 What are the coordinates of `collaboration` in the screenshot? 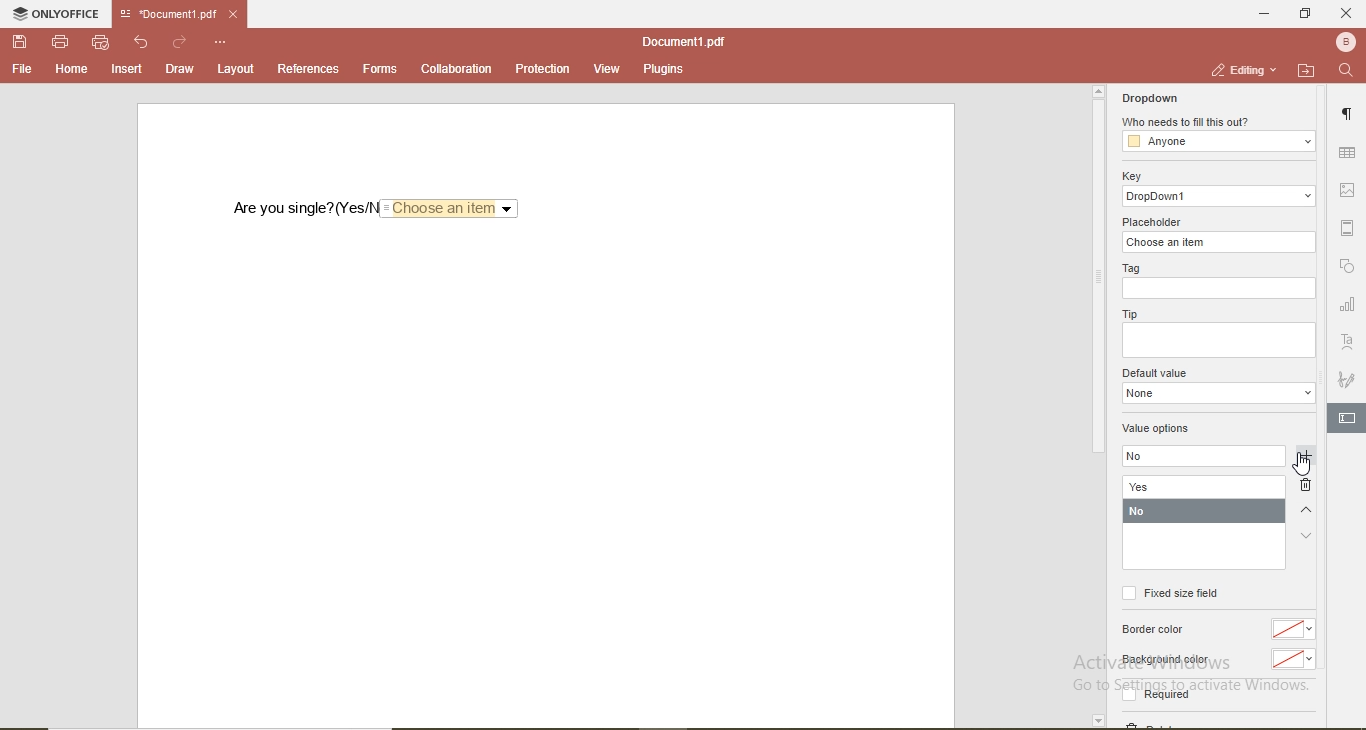 It's located at (456, 69).